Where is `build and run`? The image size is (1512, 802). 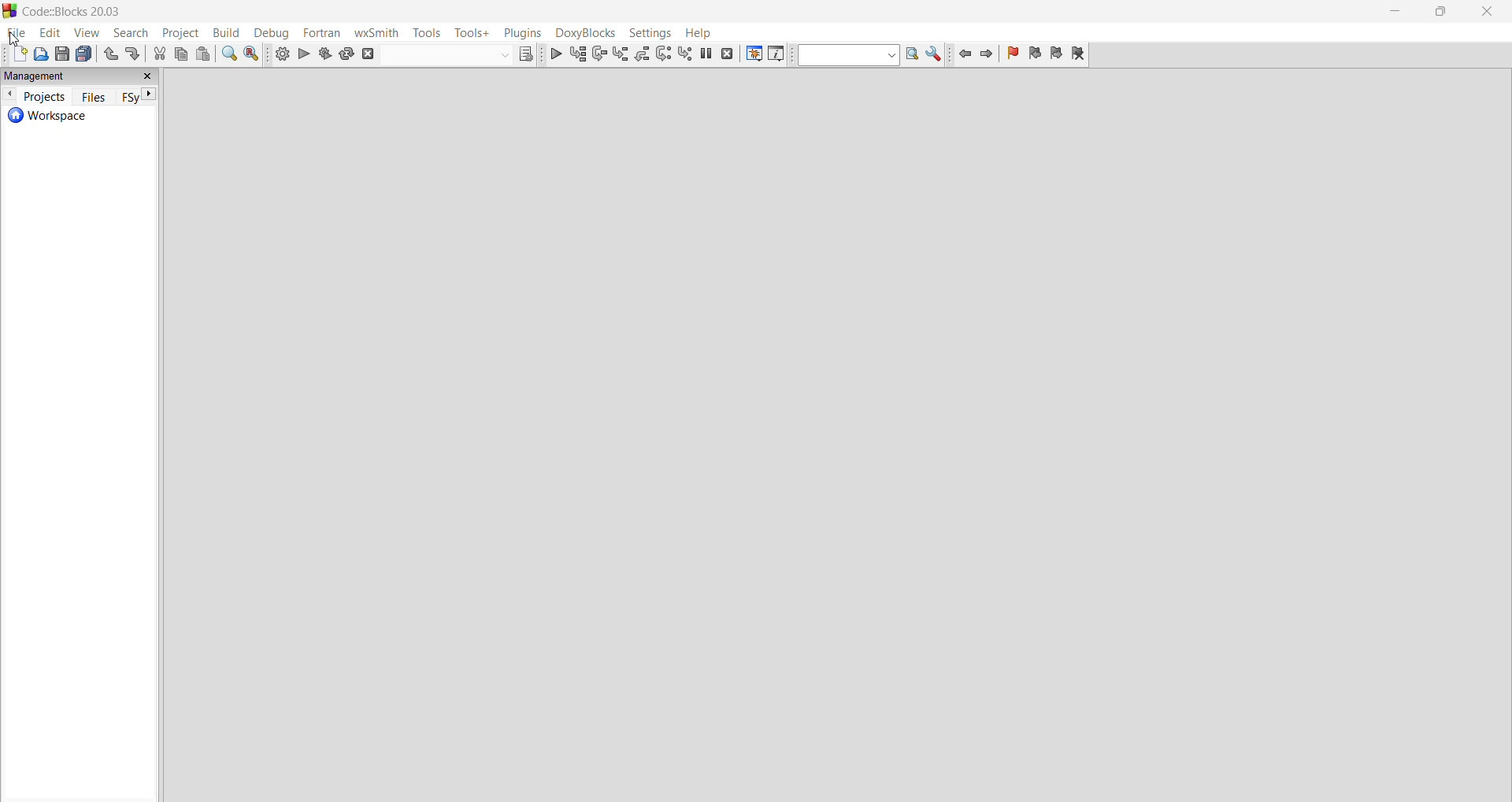 build and run is located at coordinates (327, 55).